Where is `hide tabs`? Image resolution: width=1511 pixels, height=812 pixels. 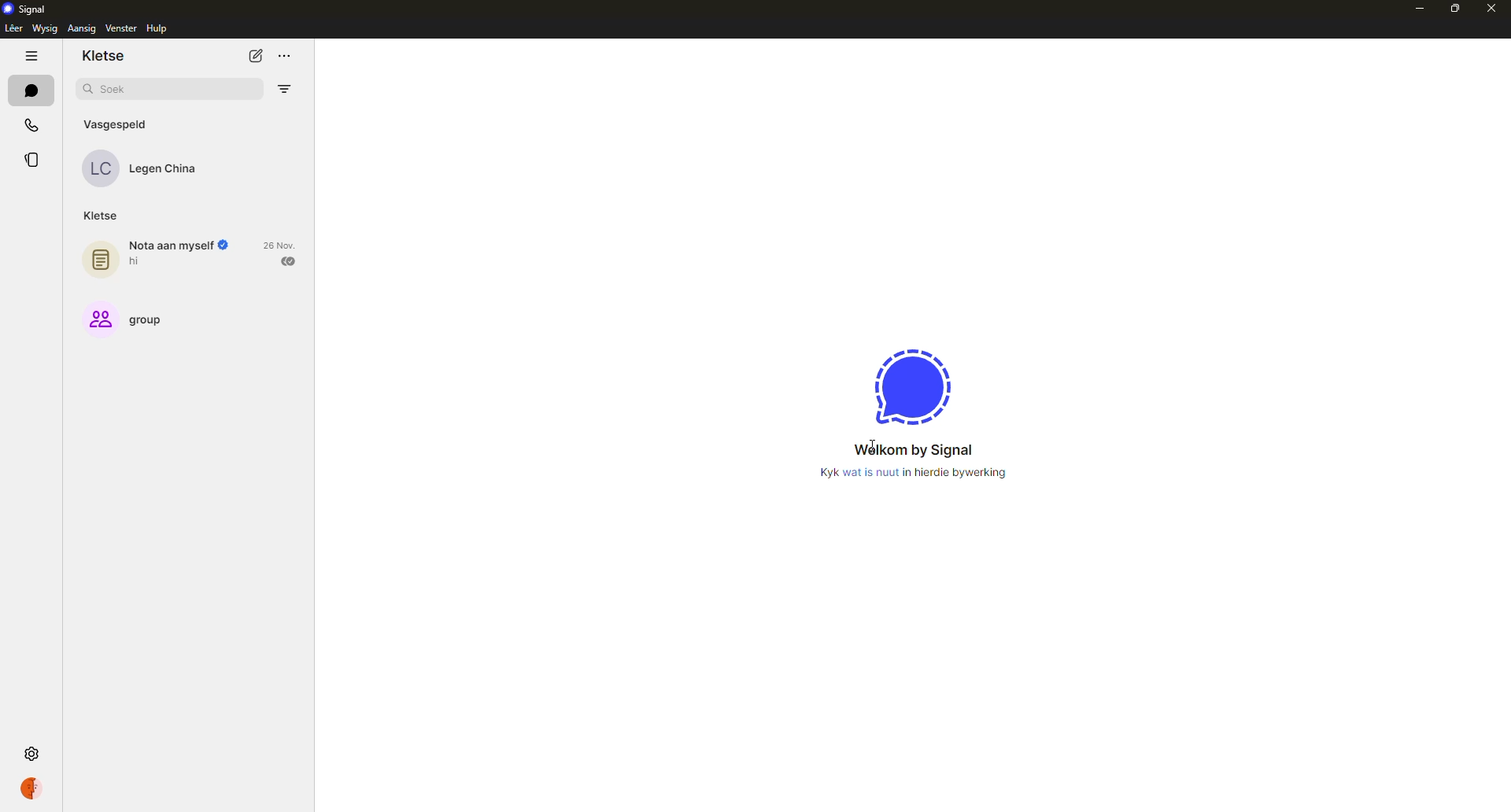
hide tabs is located at coordinates (31, 55).